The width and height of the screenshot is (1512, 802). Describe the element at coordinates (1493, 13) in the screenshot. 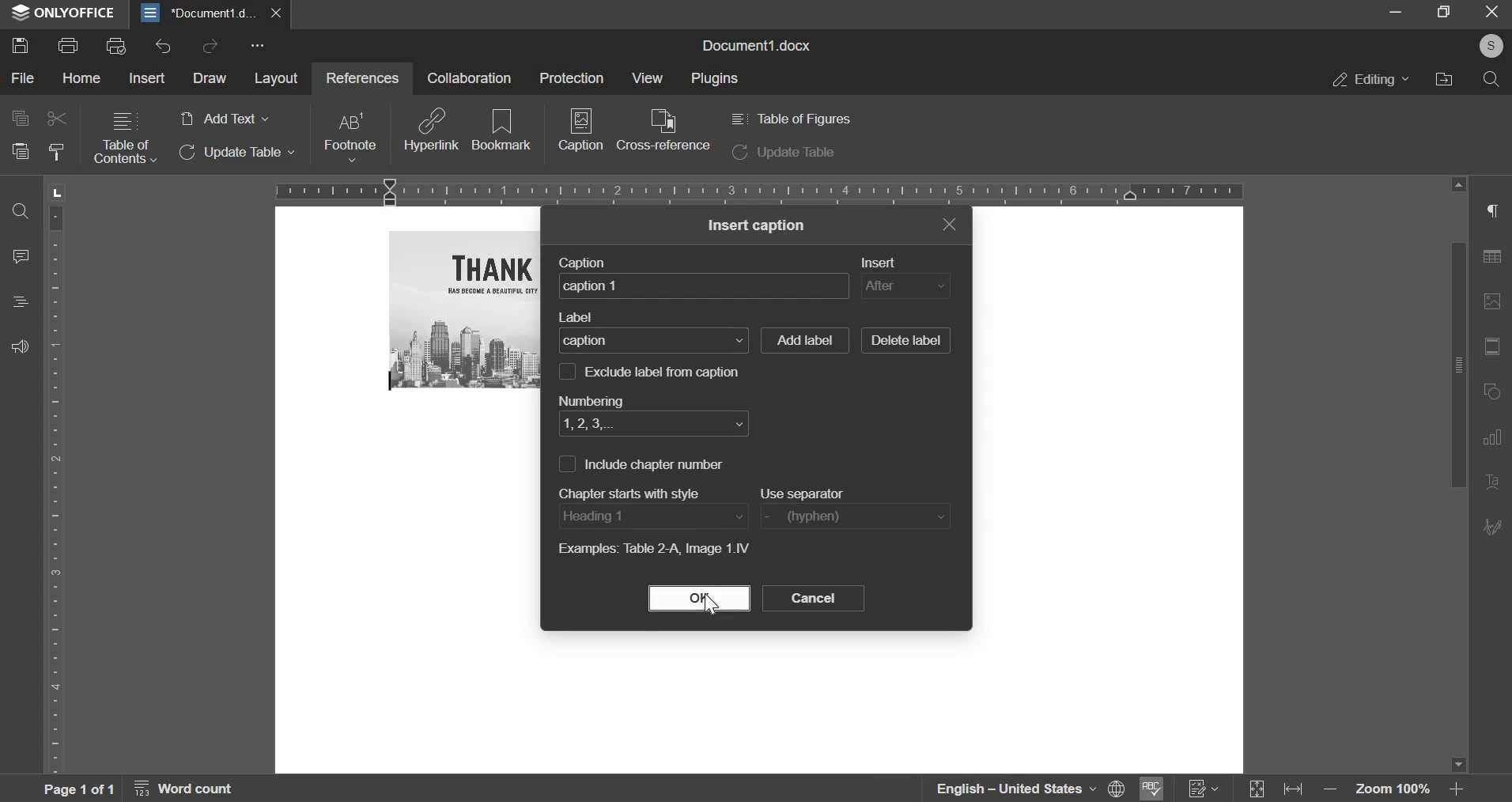

I see `exit` at that location.